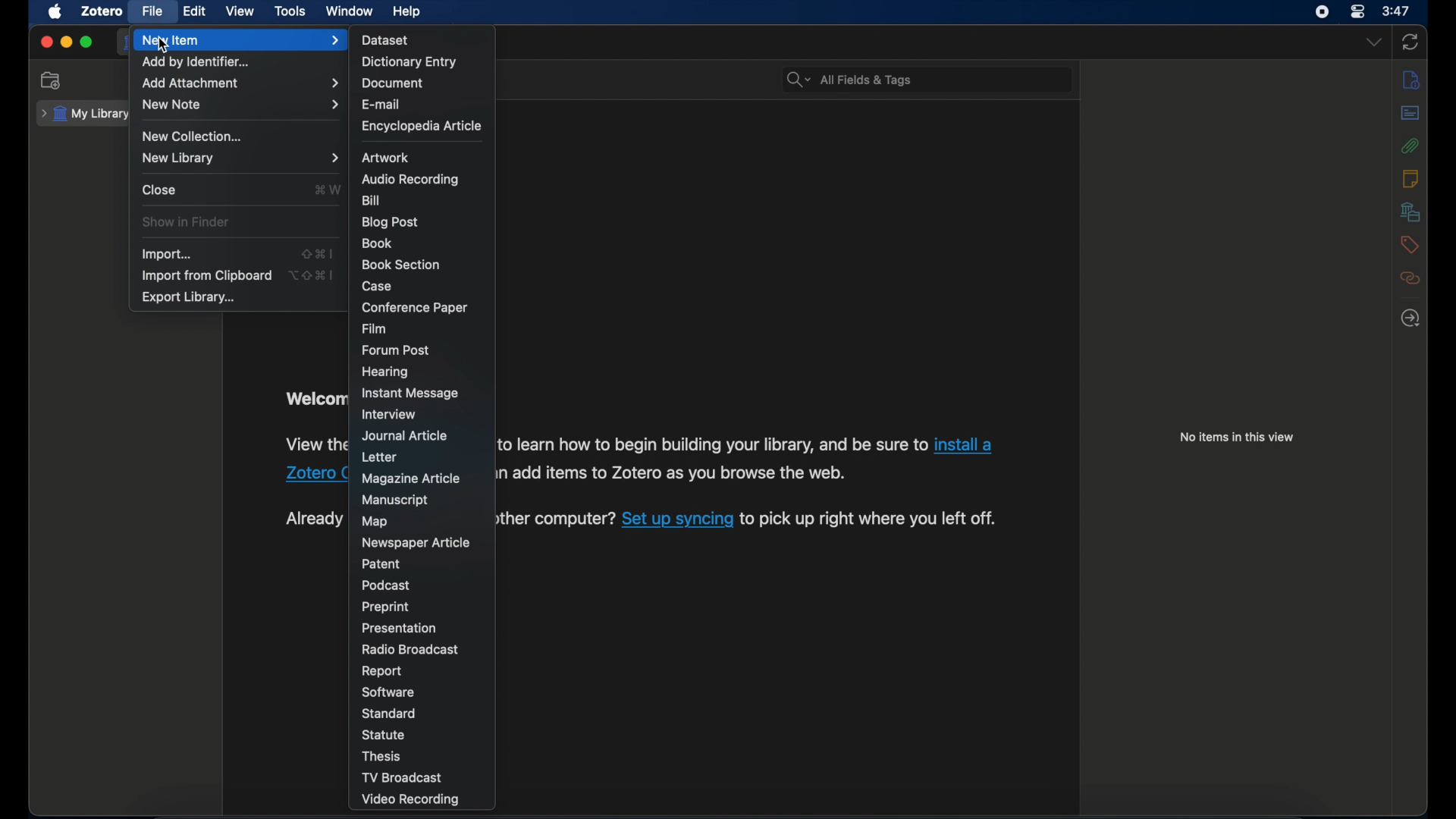 This screenshot has height=819, width=1456. What do you see at coordinates (291, 11) in the screenshot?
I see `tools` at bounding box center [291, 11].